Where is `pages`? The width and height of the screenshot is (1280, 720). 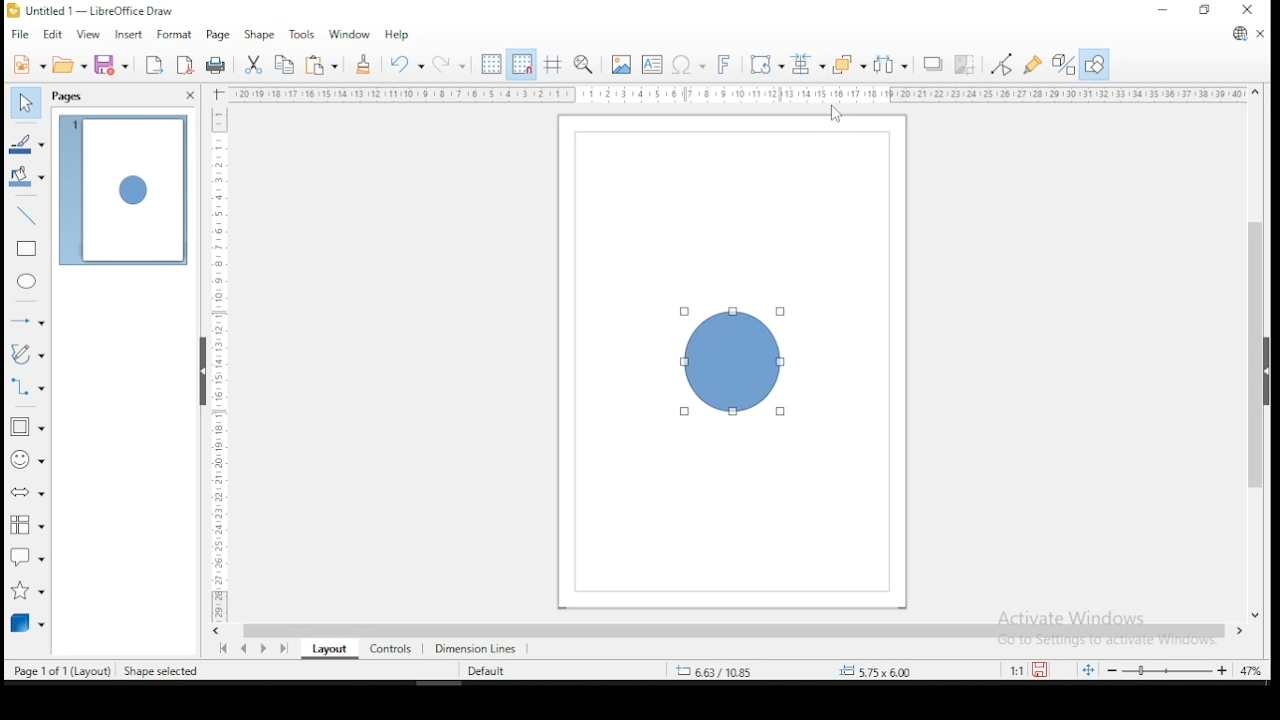 pages is located at coordinates (70, 97).